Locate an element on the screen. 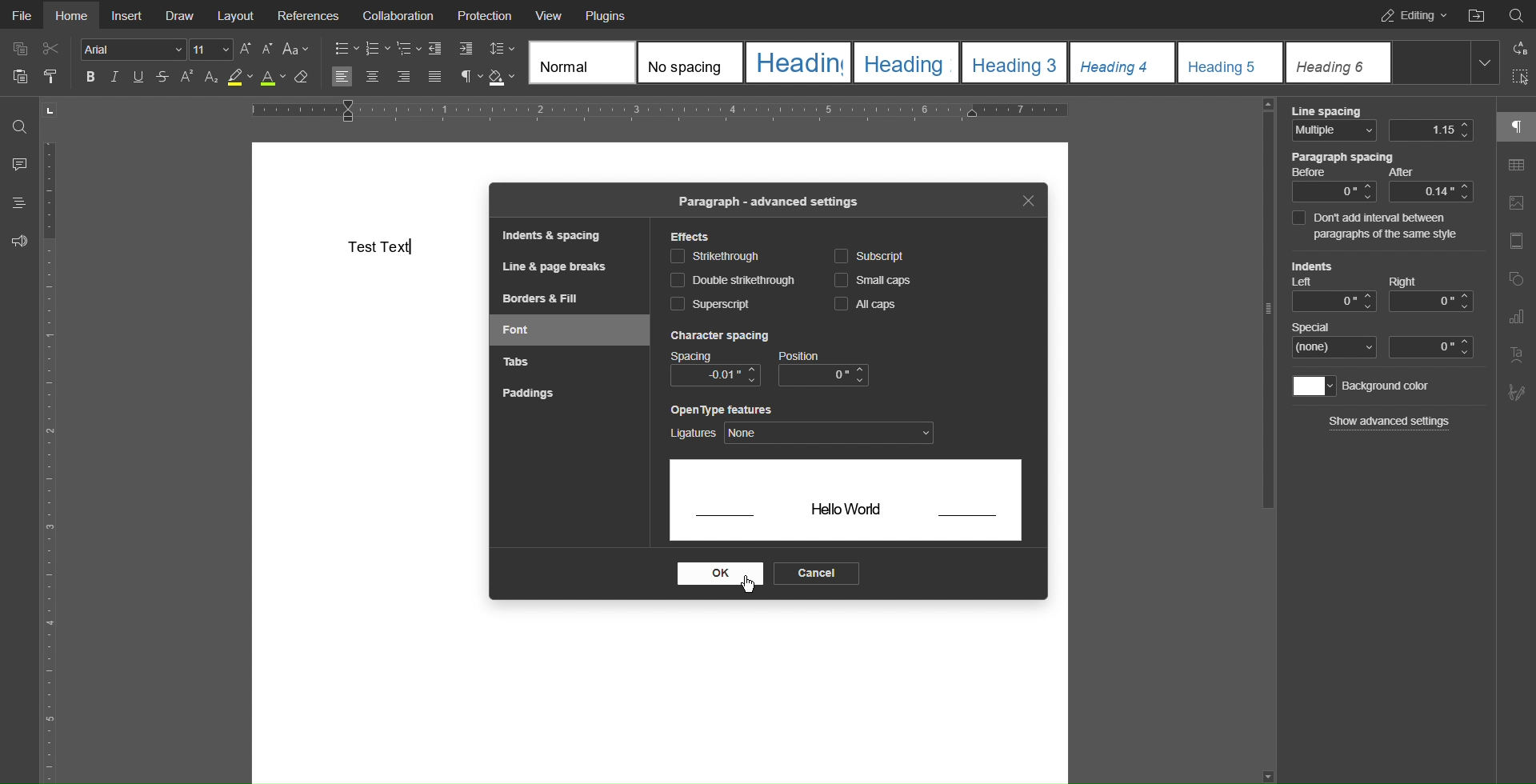  Justify Alignment is located at coordinates (434, 78).